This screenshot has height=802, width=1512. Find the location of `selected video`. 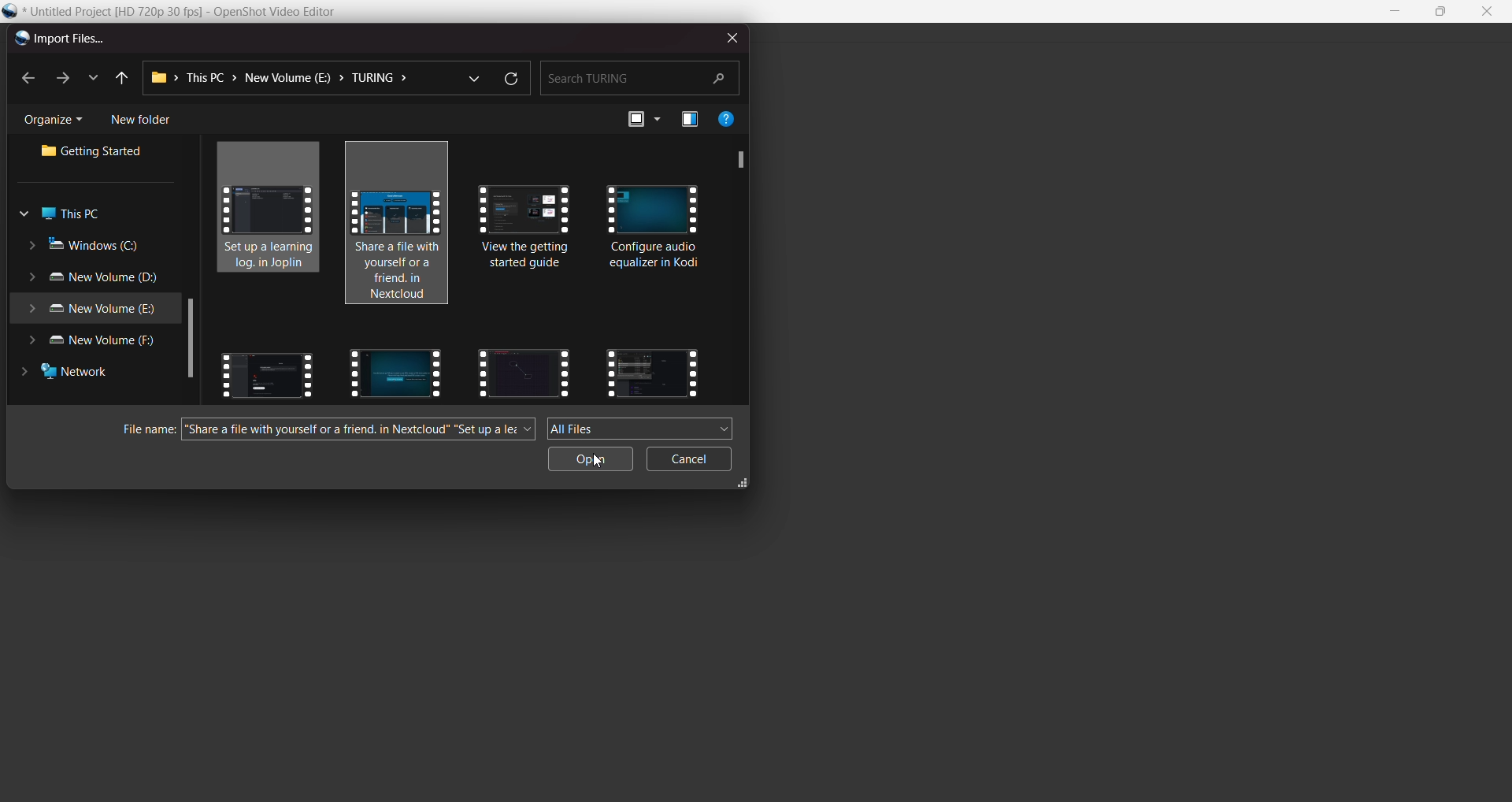

selected video is located at coordinates (274, 210).